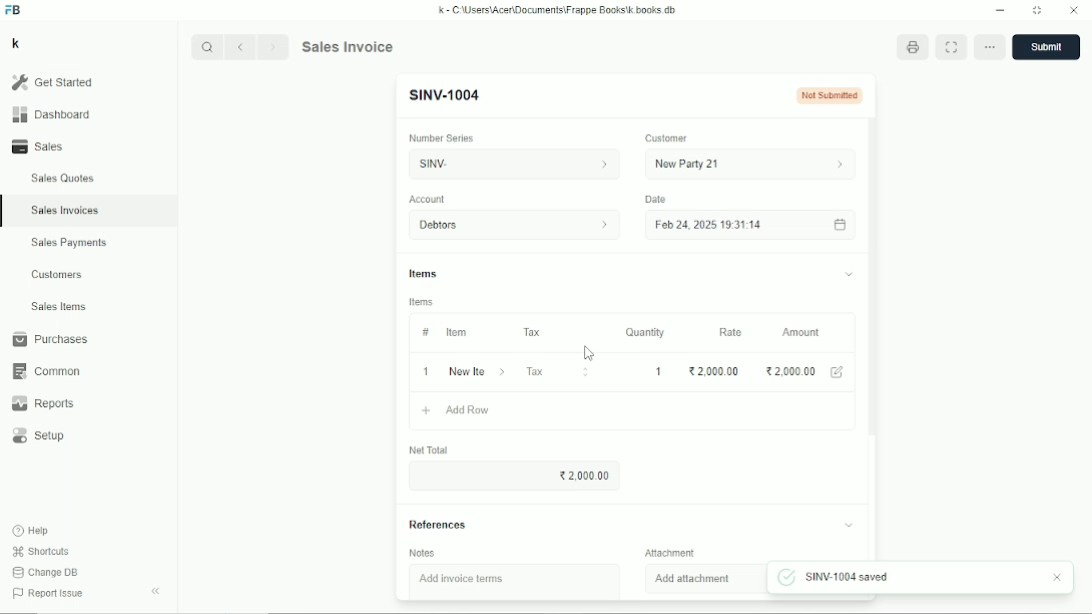 This screenshot has height=614, width=1092. I want to click on Number series, so click(442, 138).